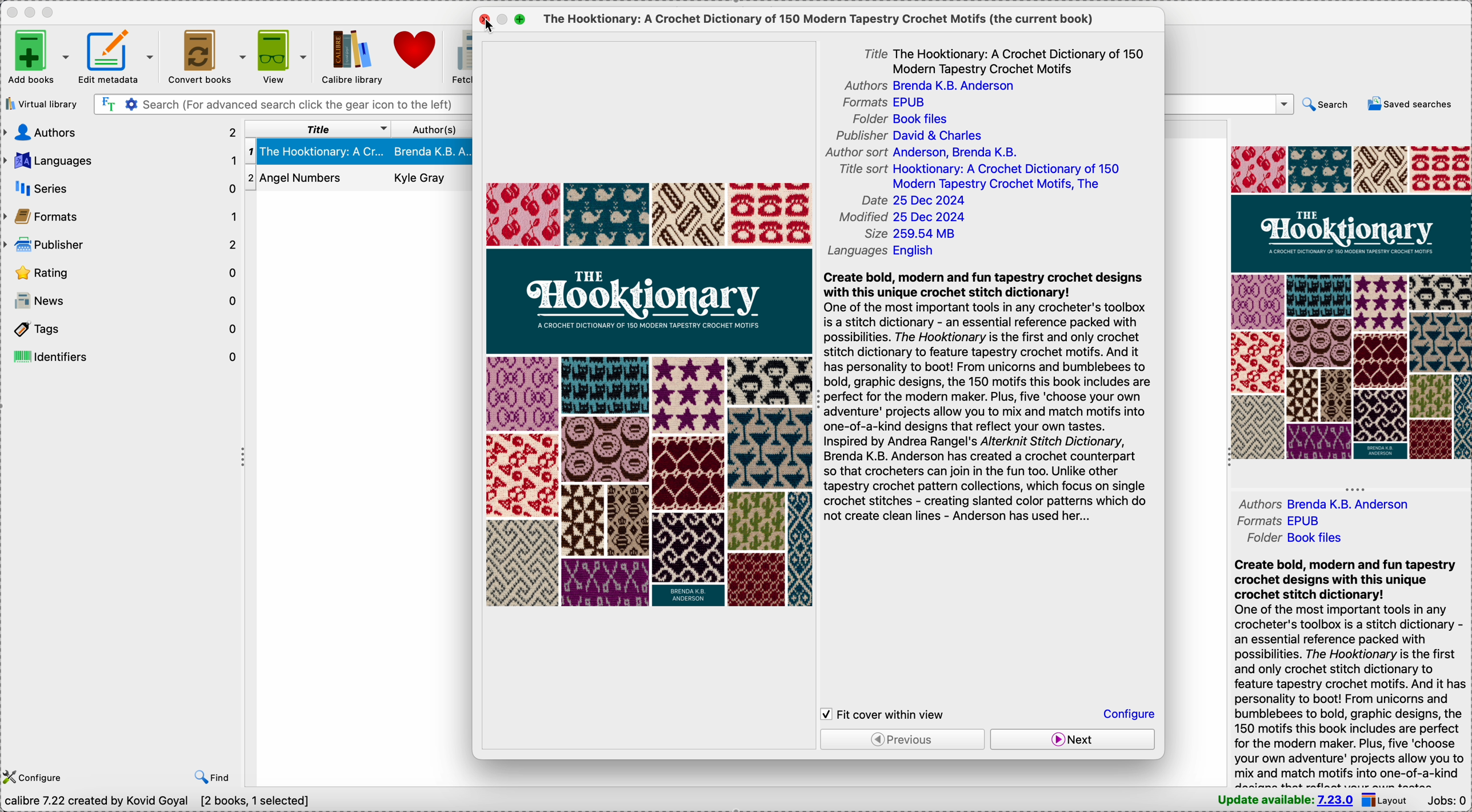 The image size is (1472, 812). I want to click on languages, so click(888, 249).